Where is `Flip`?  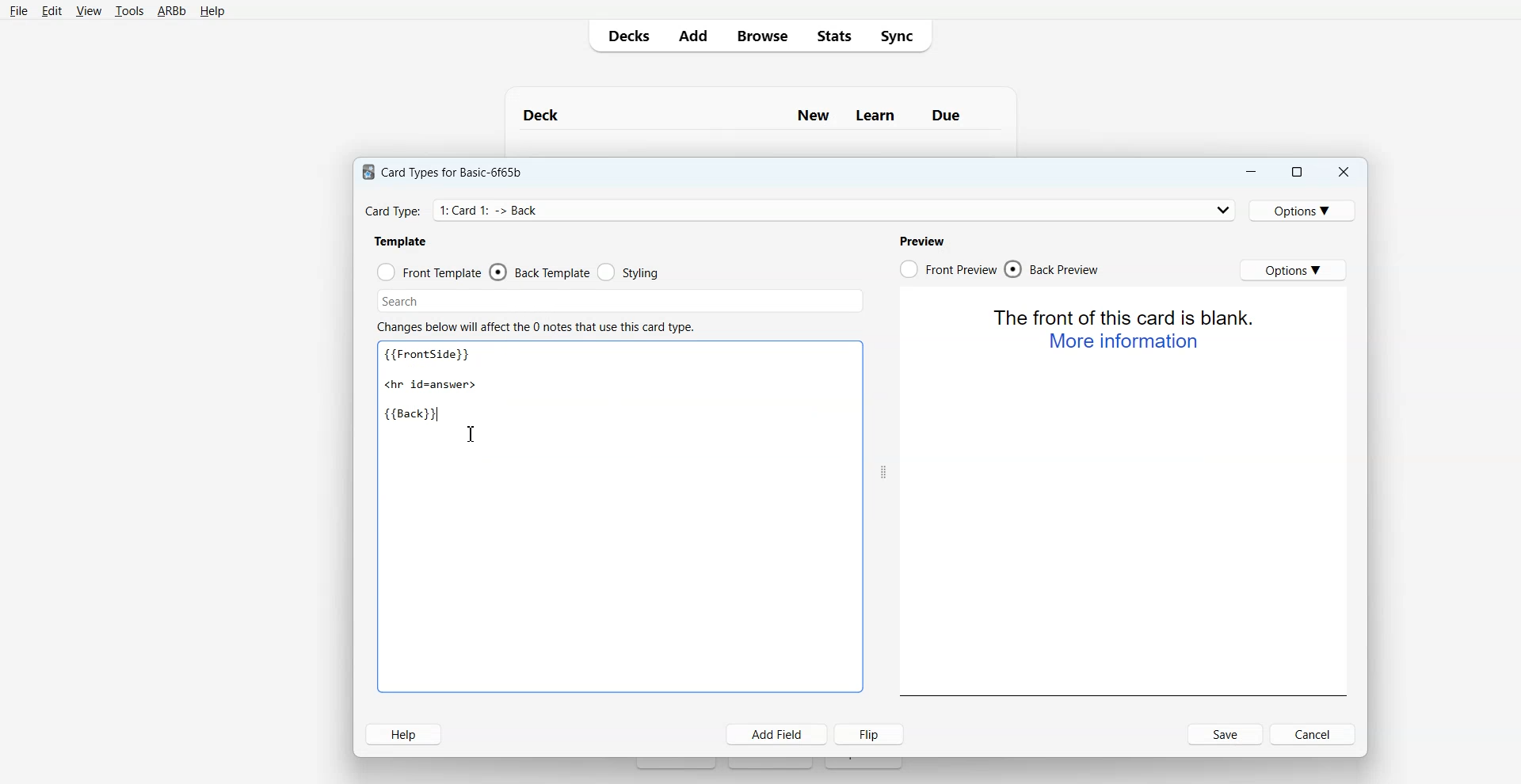
Flip is located at coordinates (871, 734).